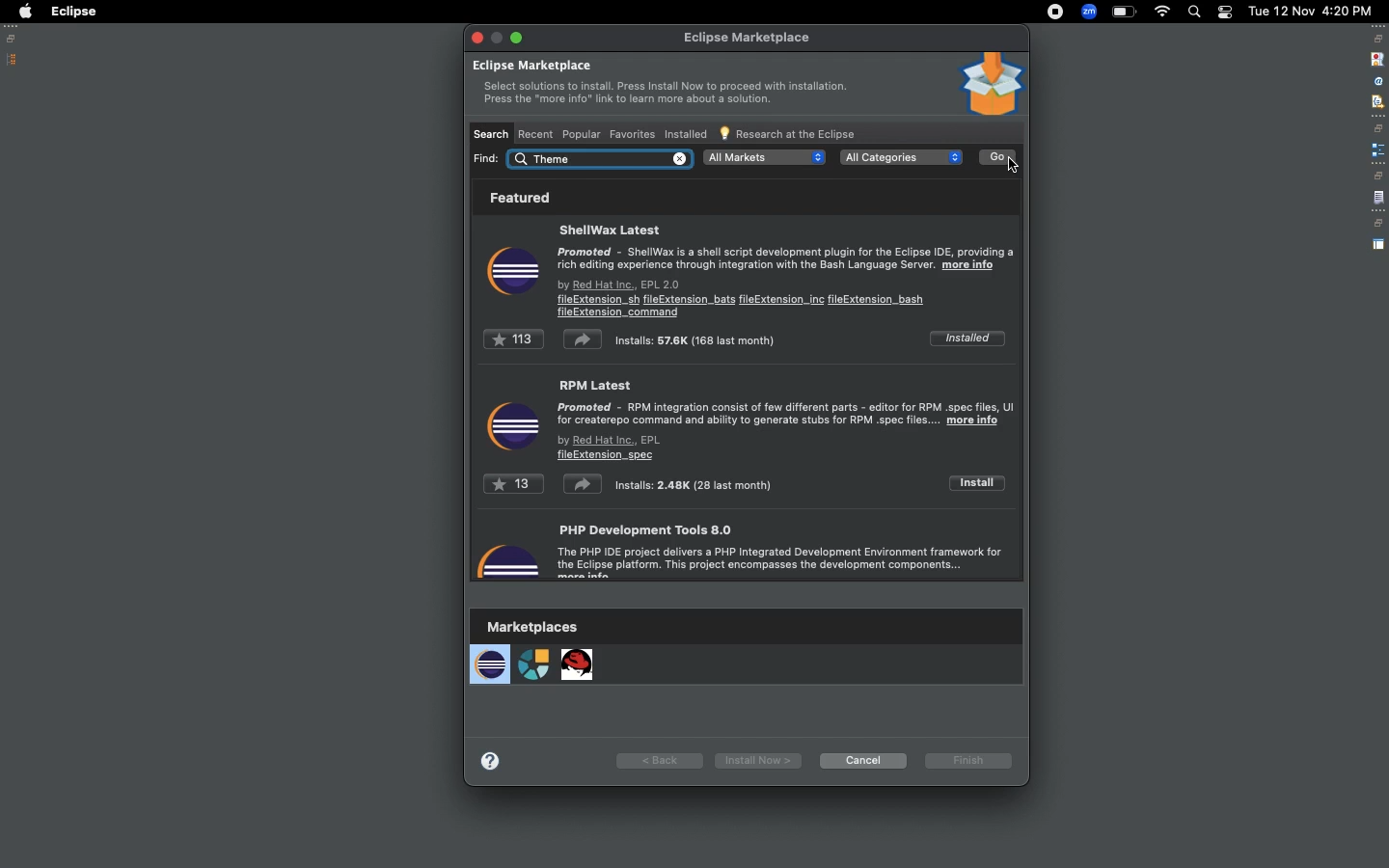 Image resolution: width=1389 pixels, height=868 pixels. Describe the element at coordinates (971, 760) in the screenshot. I see `Finish ` at that location.